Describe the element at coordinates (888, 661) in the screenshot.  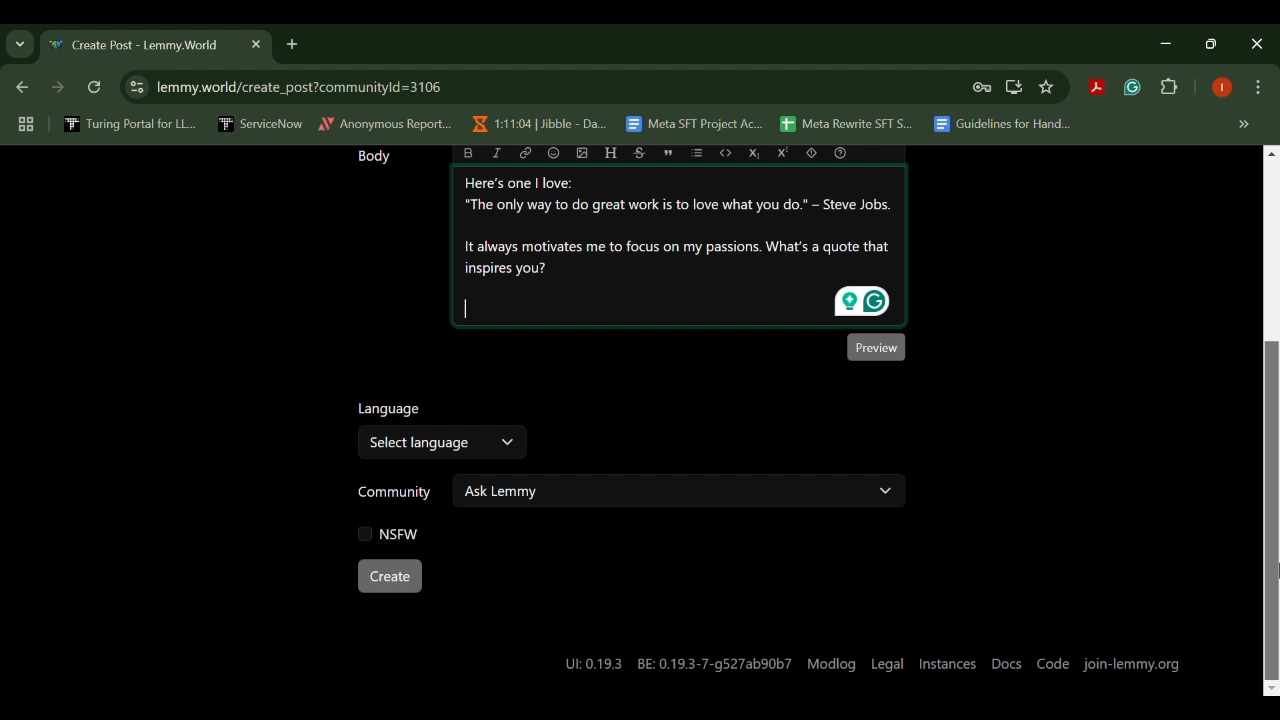
I see `Legal` at that location.